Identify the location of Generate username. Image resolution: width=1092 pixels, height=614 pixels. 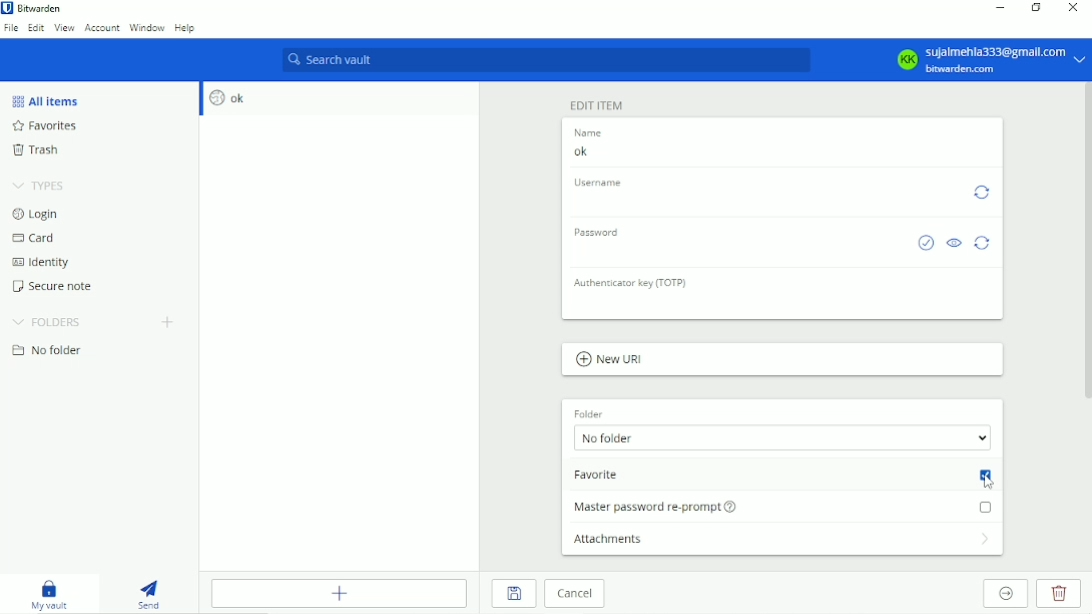
(981, 192).